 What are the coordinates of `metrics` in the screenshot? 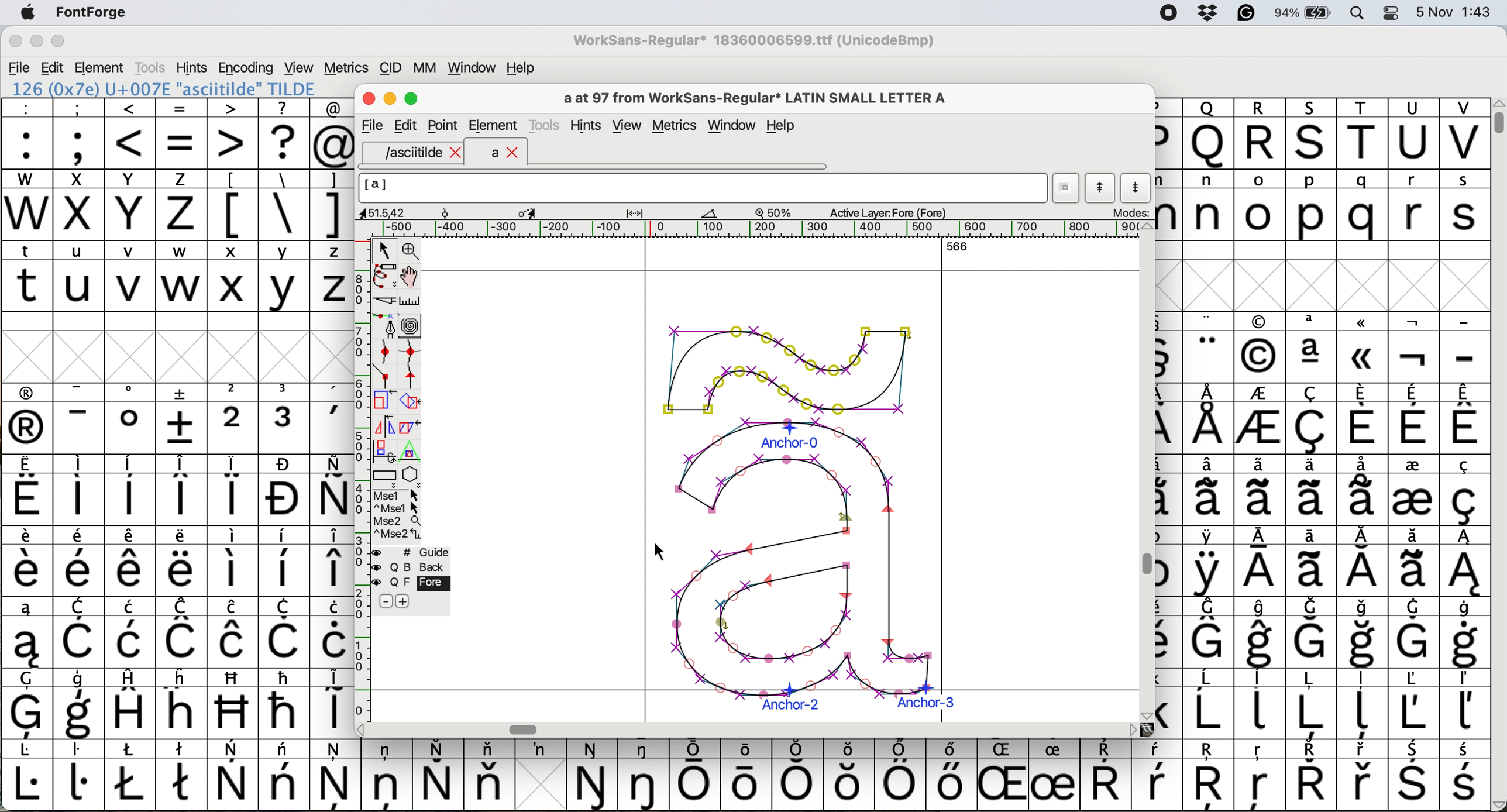 It's located at (679, 127).